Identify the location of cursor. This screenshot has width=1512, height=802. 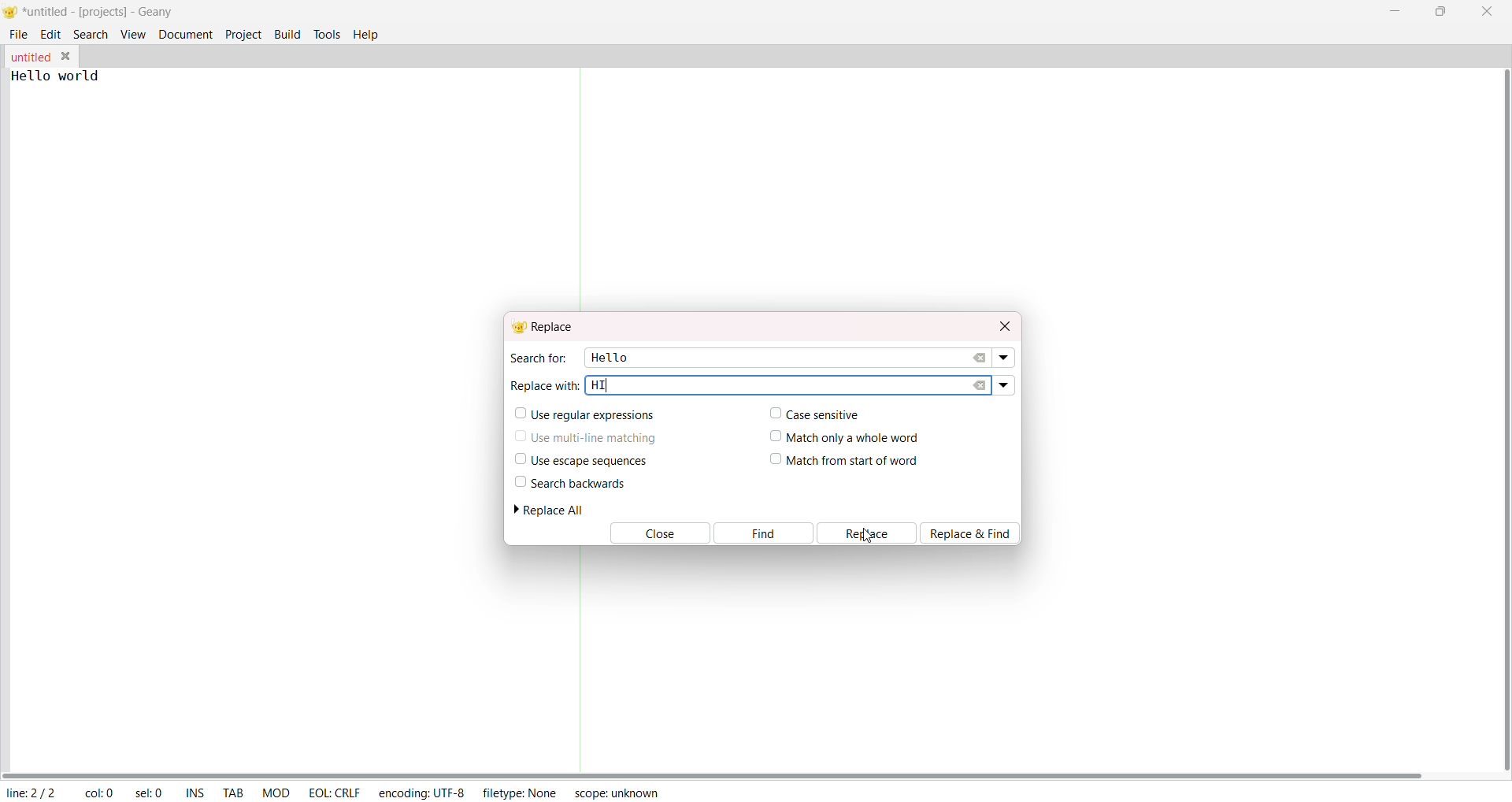
(869, 537).